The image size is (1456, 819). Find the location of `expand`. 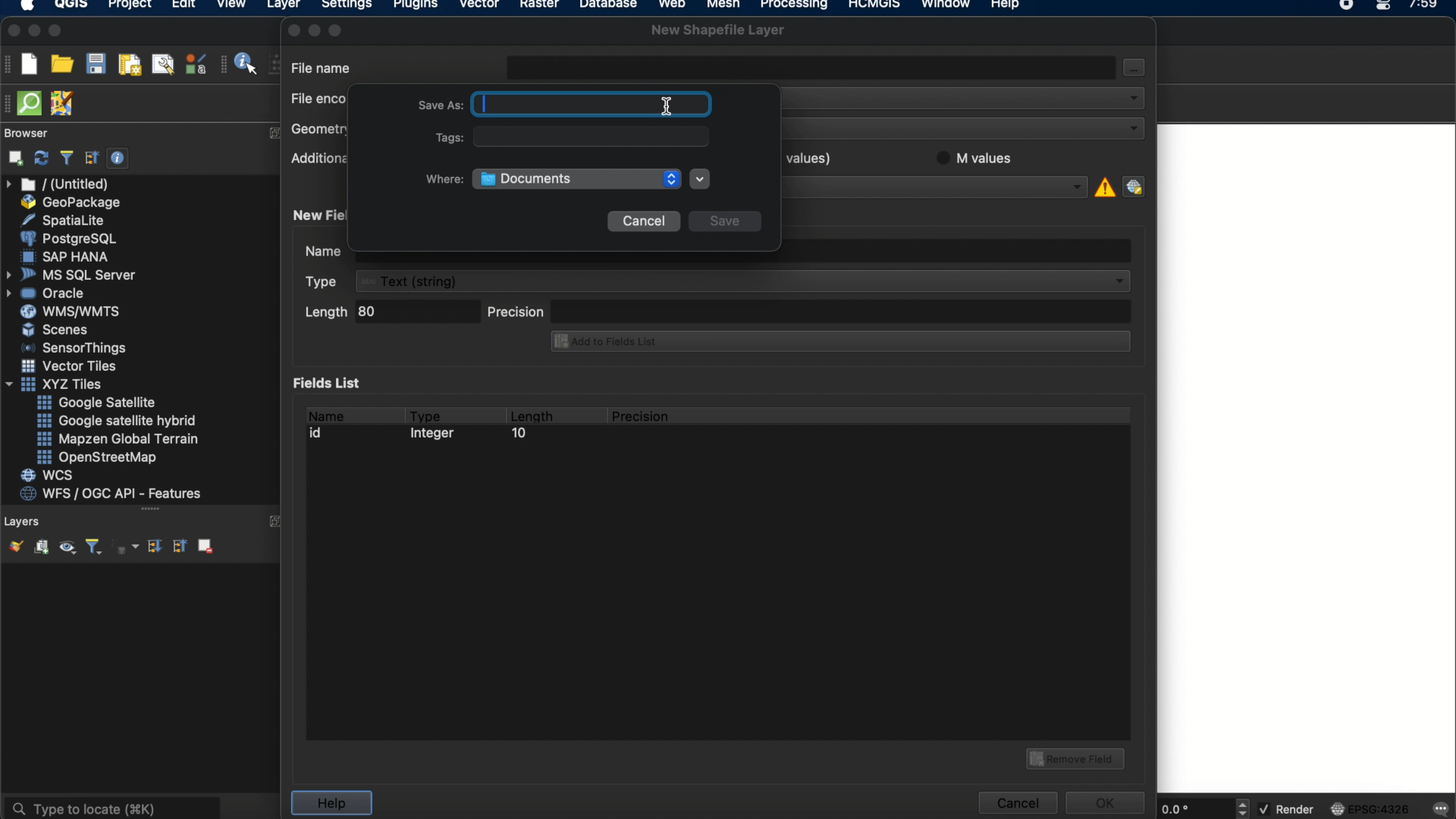

expand is located at coordinates (275, 522).